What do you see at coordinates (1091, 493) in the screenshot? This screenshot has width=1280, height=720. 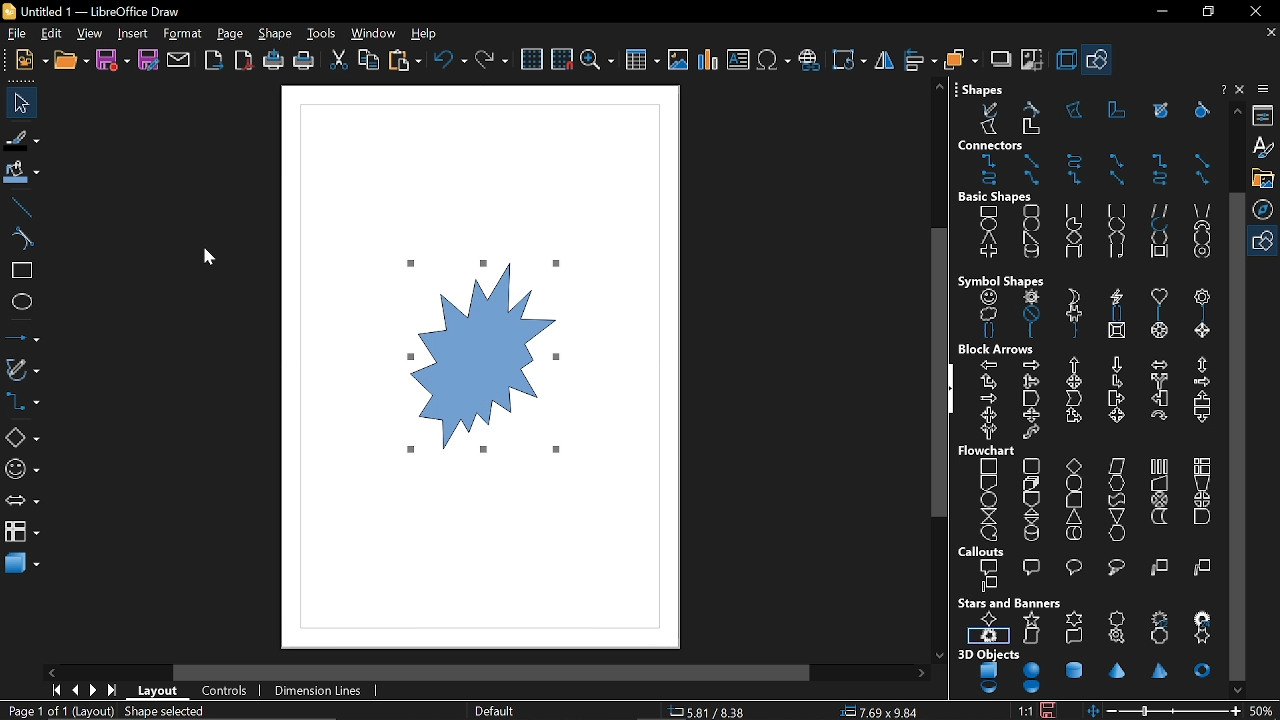 I see `flowchart` at bounding box center [1091, 493].